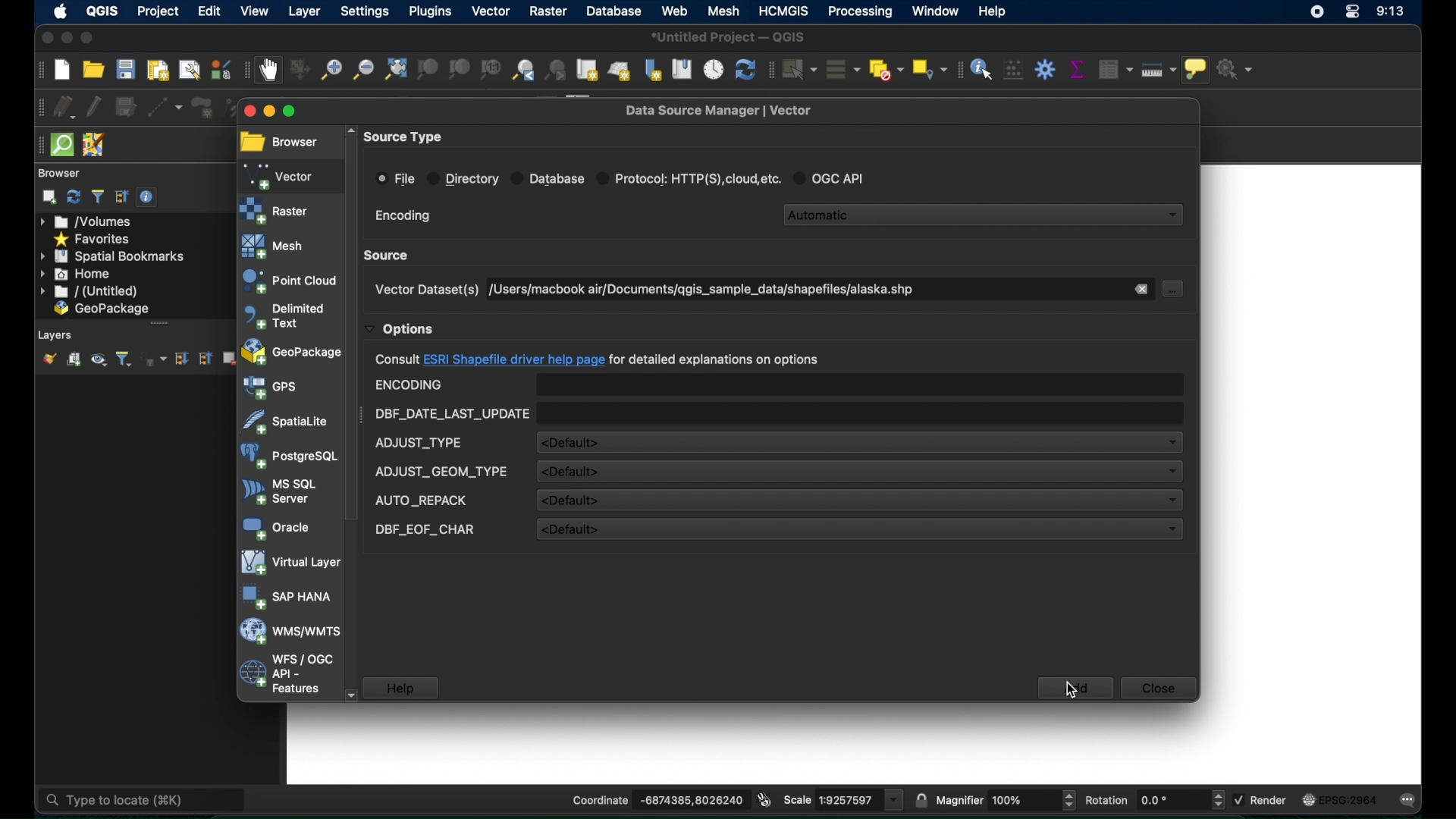 This screenshot has height=819, width=1456. What do you see at coordinates (289, 457) in the screenshot?
I see `postgresql` at bounding box center [289, 457].